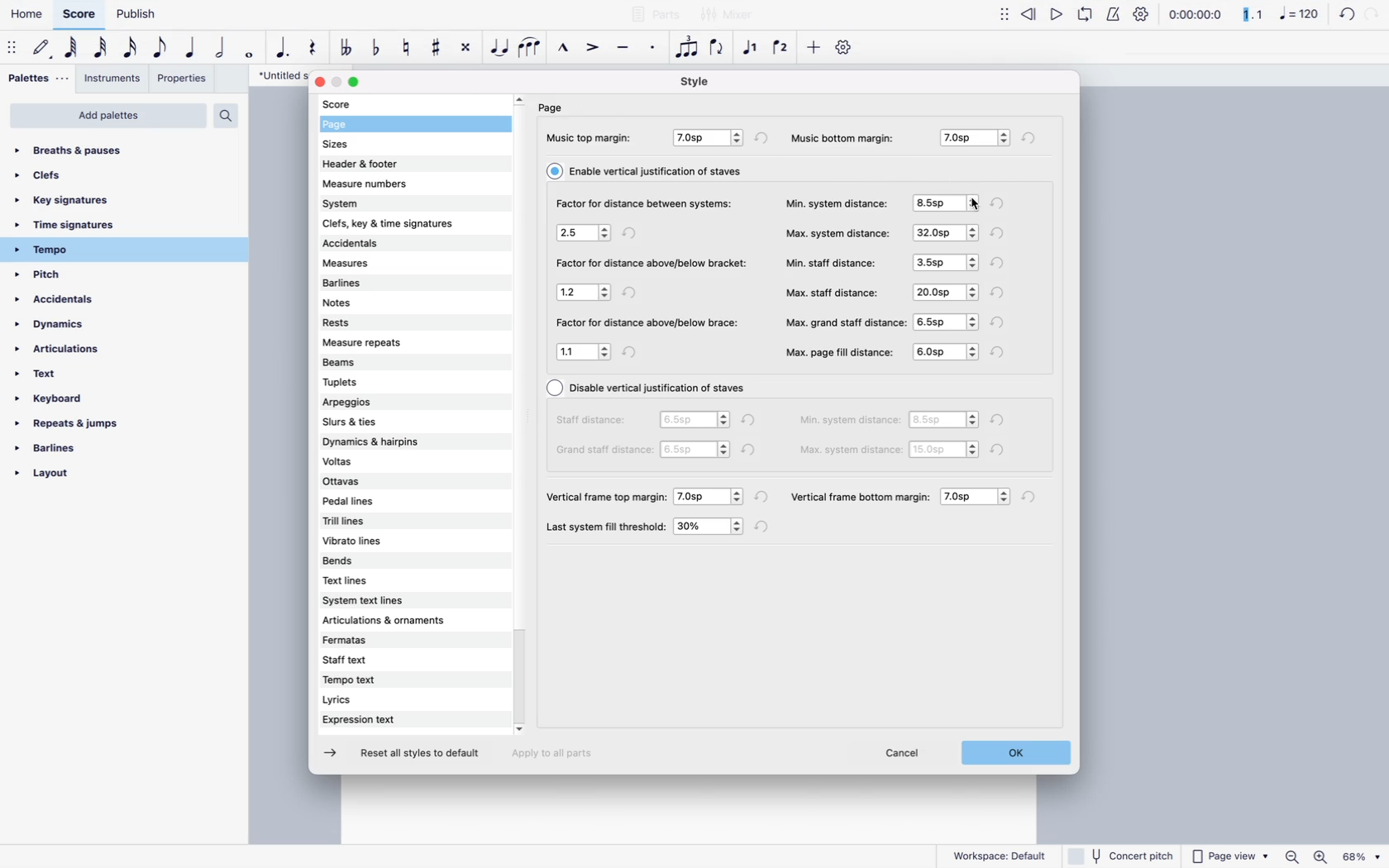 This screenshot has height=868, width=1389. Describe the element at coordinates (1331, 857) in the screenshot. I see `zoom` at that location.